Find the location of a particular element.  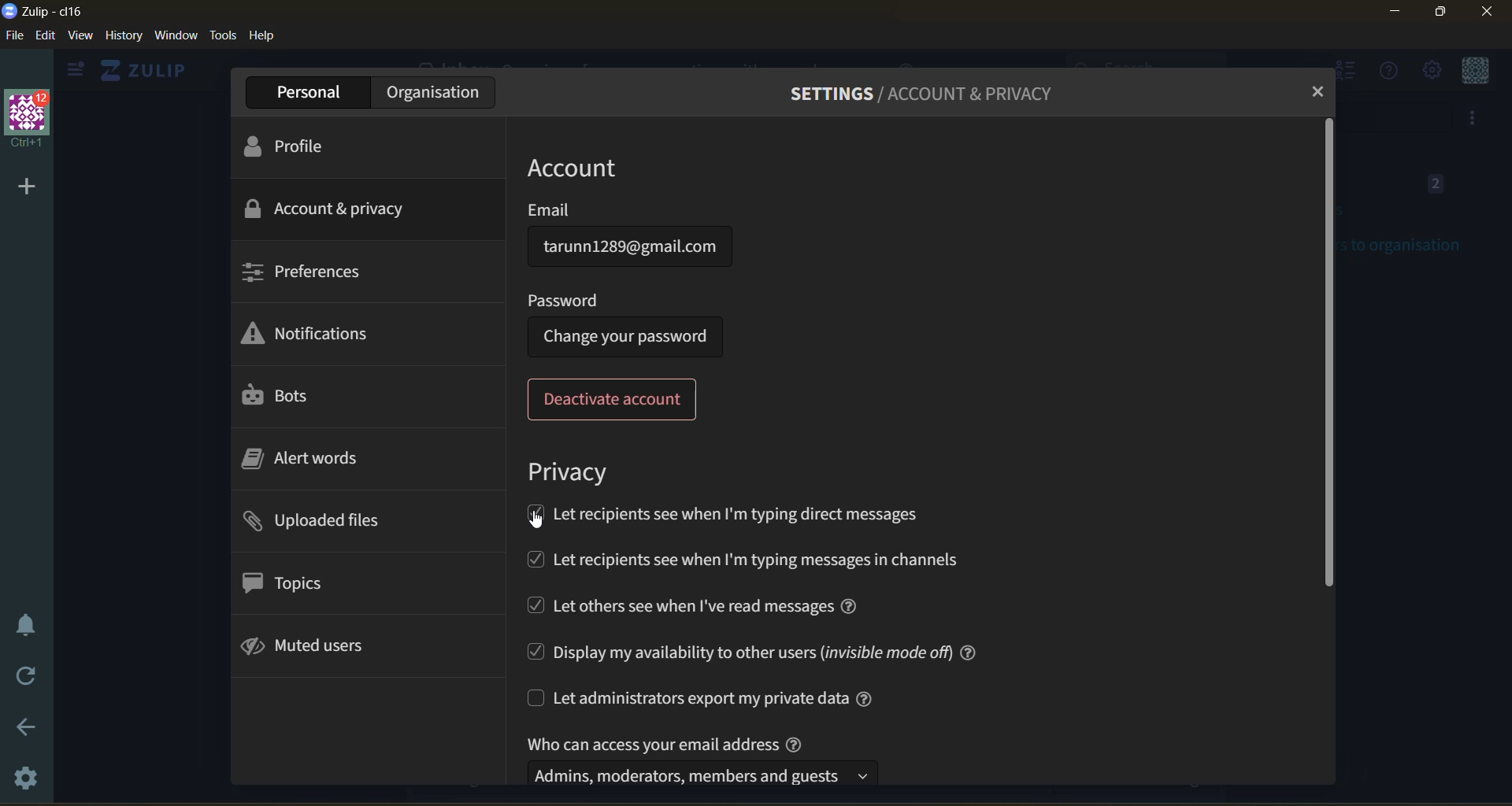

maximize is located at coordinates (1437, 14).